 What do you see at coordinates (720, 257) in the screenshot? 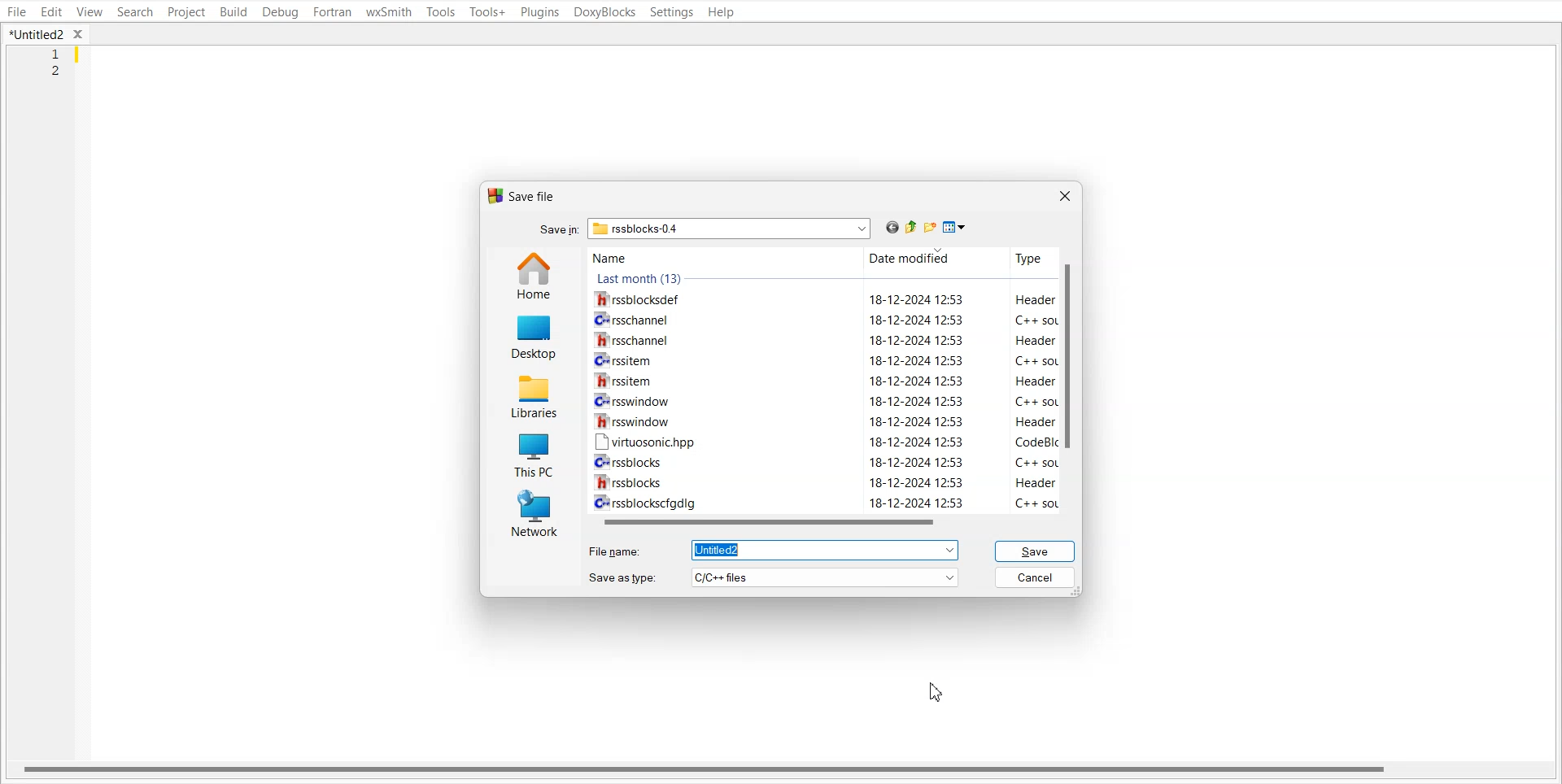
I see `Name` at bounding box center [720, 257].